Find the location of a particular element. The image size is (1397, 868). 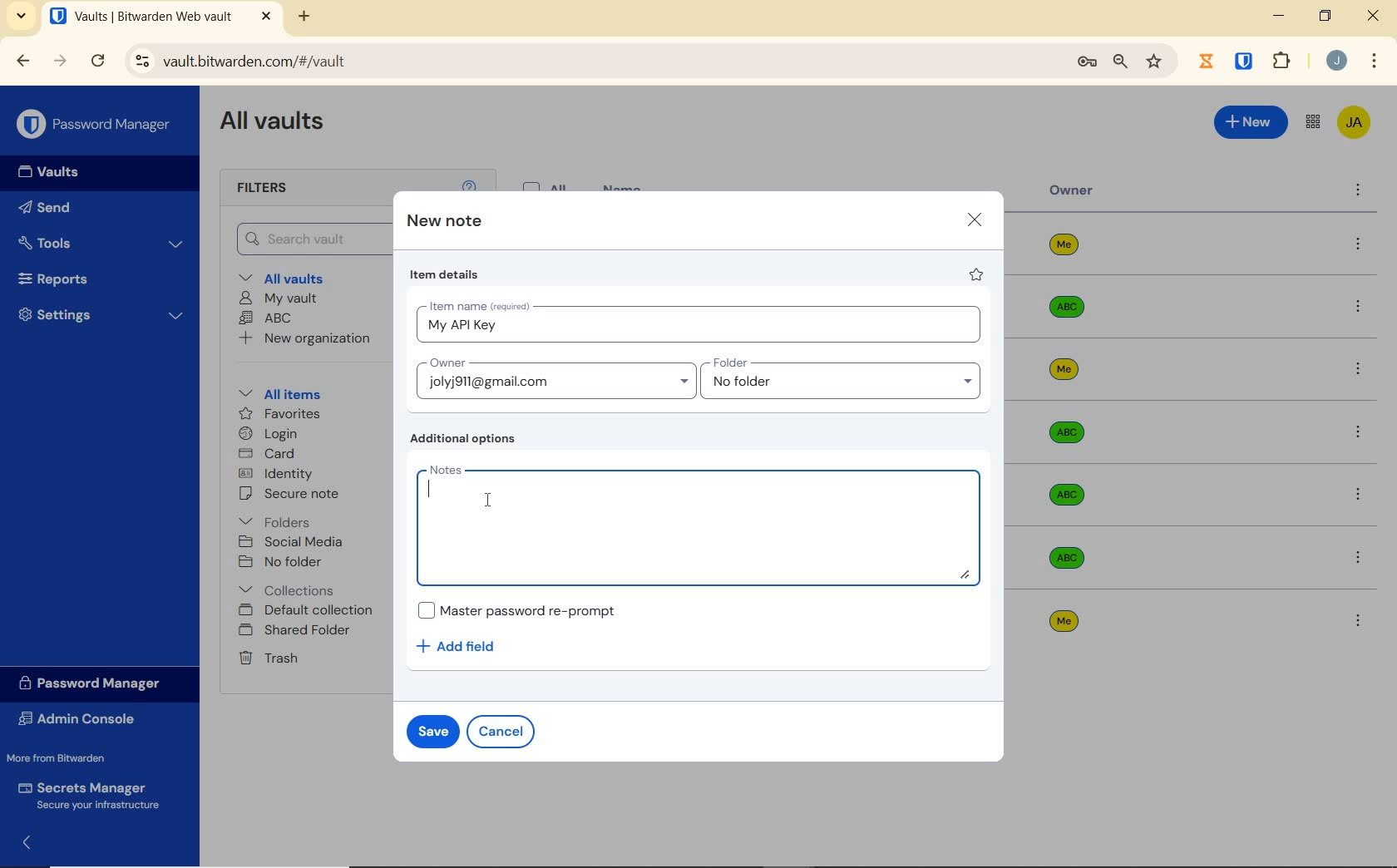

extensions is located at coordinates (1284, 60).